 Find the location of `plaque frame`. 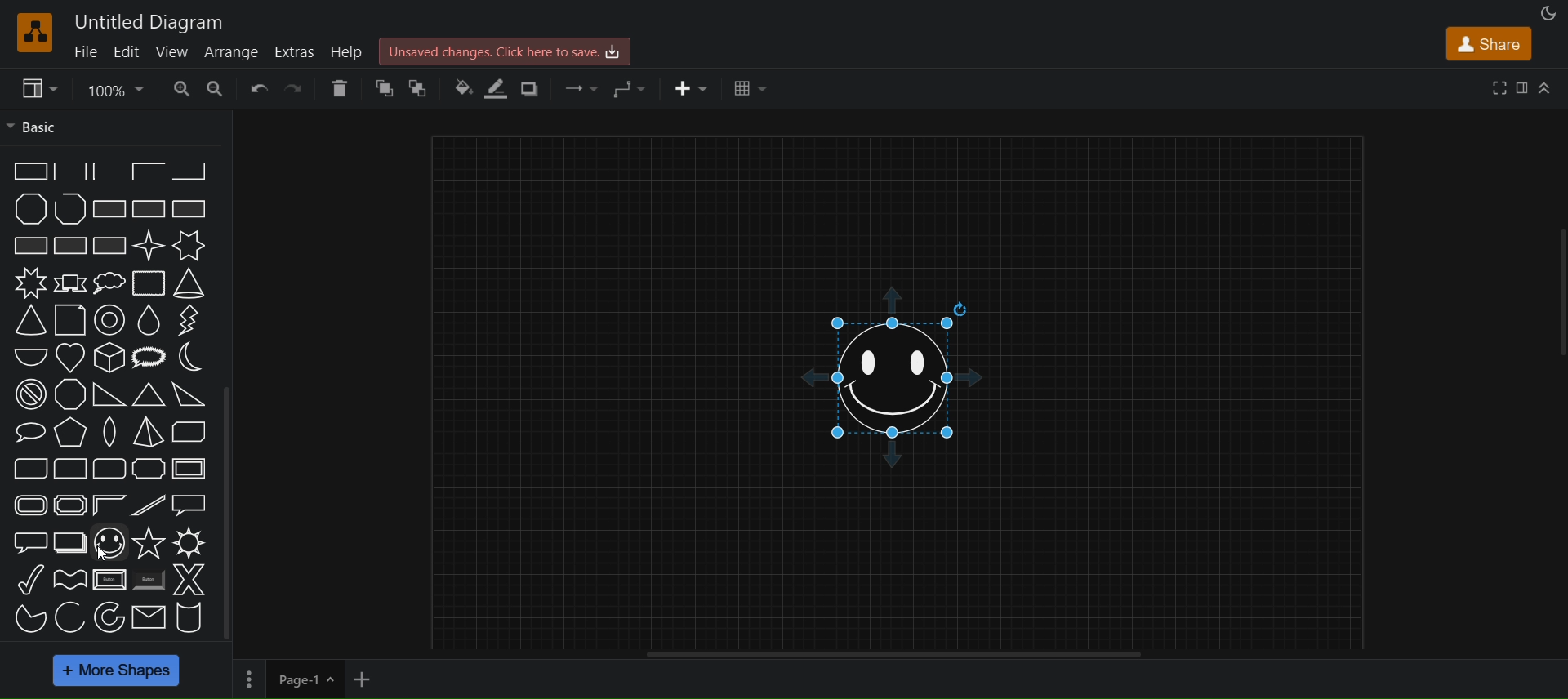

plaque frame is located at coordinates (69, 505).